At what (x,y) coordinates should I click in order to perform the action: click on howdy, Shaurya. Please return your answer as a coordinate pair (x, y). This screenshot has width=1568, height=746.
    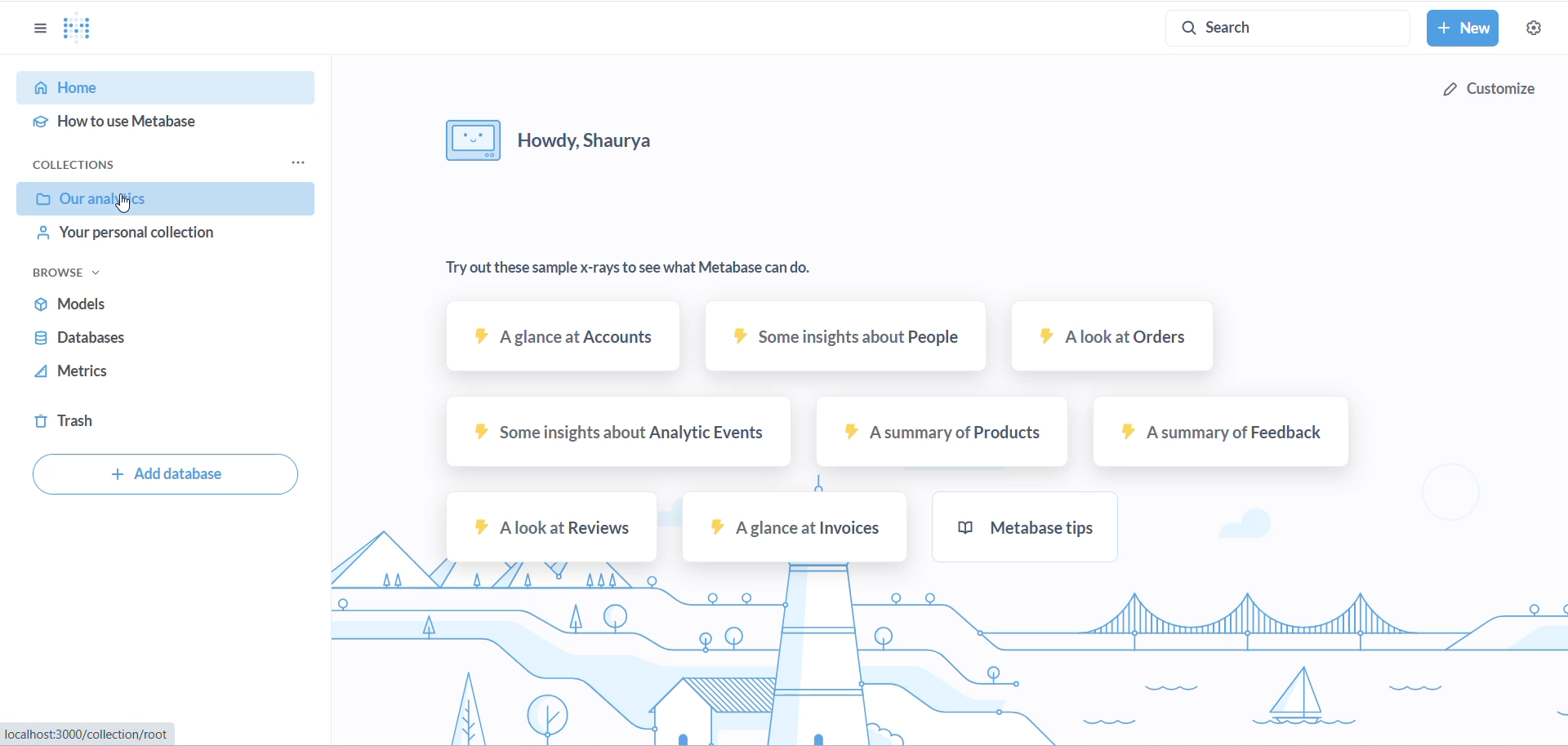
    Looking at the image, I should click on (561, 140).